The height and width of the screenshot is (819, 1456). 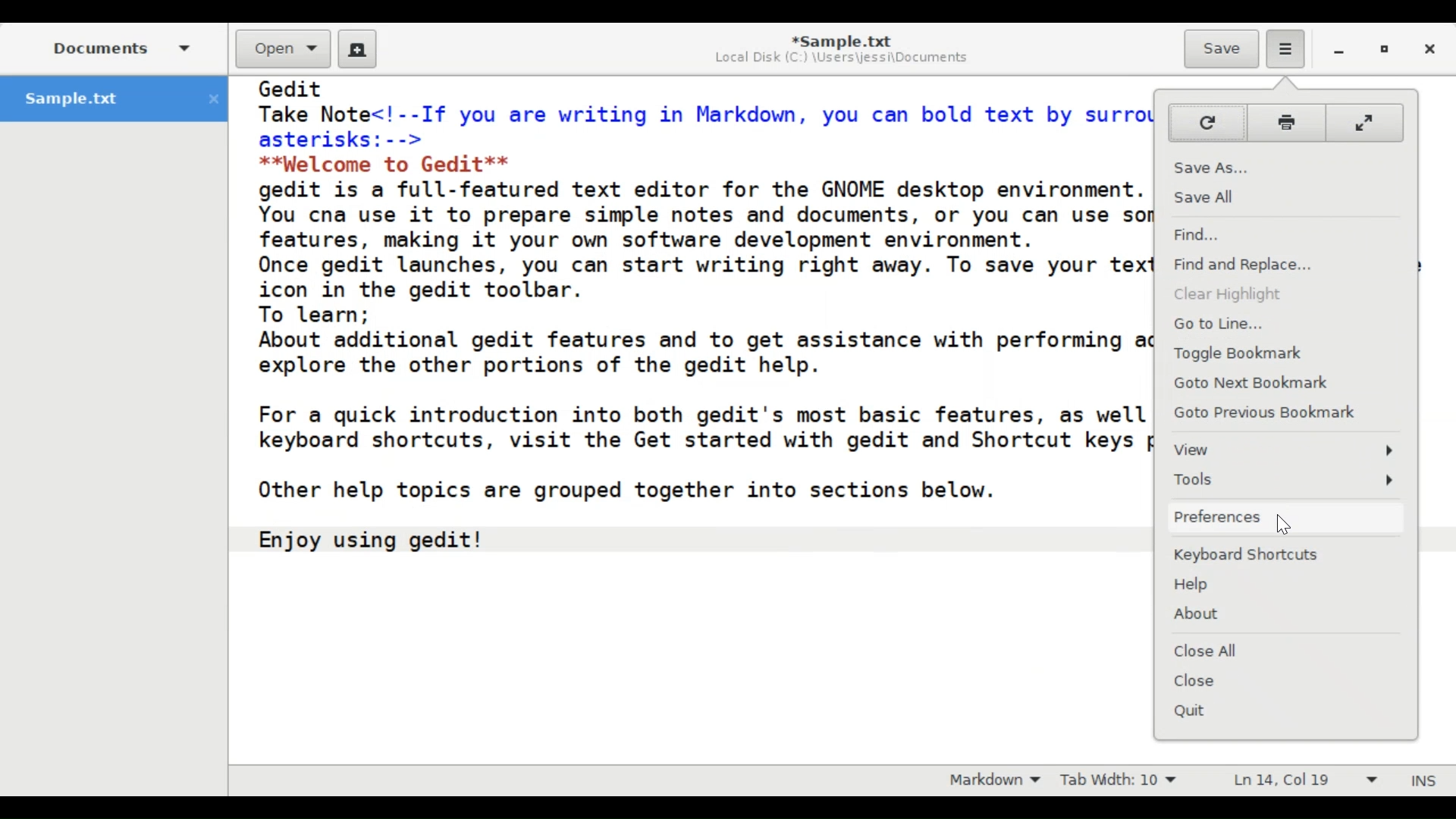 What do you see at coordinates (1287, 353) in the screenshot?
I see `Toggle Bookmark` at bounding box center [1287, 353].